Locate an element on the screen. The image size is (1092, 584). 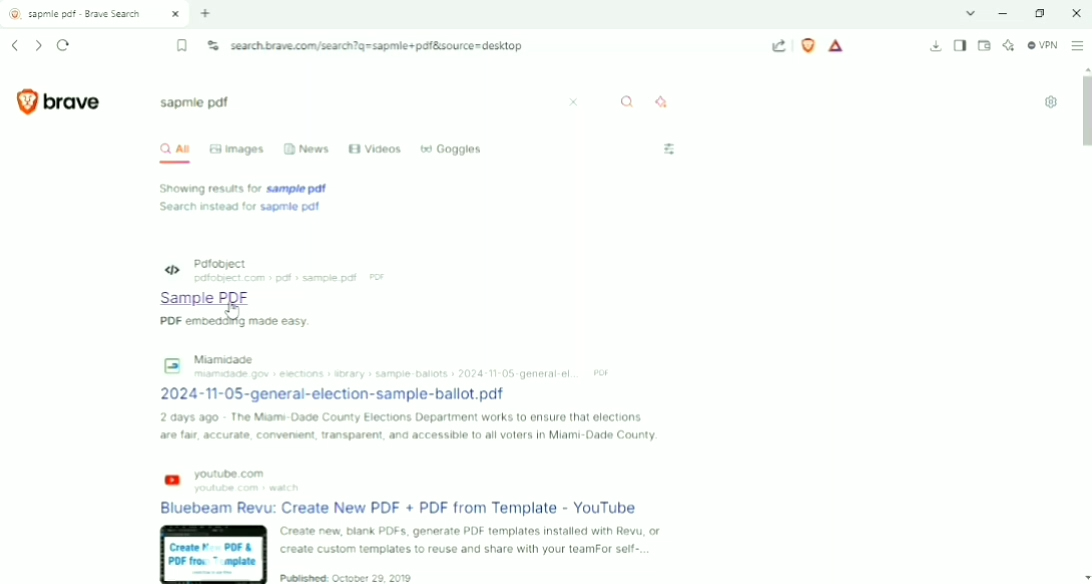
Videos is located at coordinates (376, 149).